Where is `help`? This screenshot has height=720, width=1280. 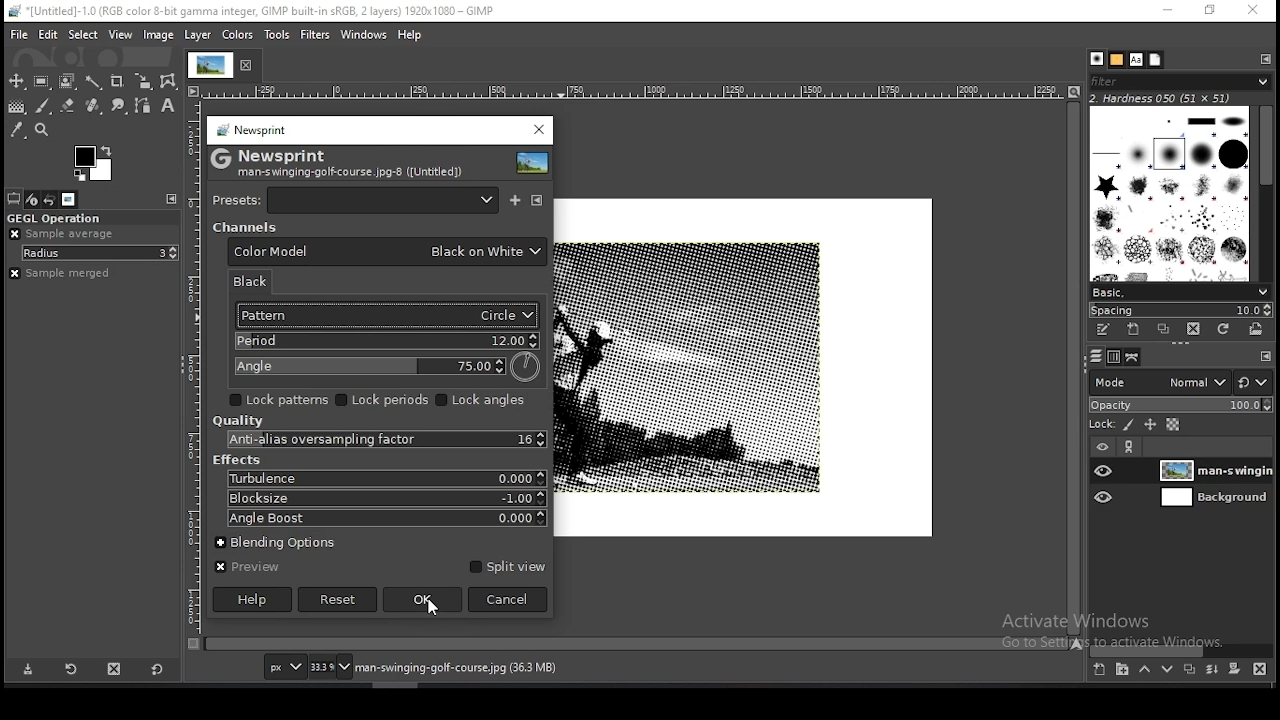 help is located at coordinates (409, 36).